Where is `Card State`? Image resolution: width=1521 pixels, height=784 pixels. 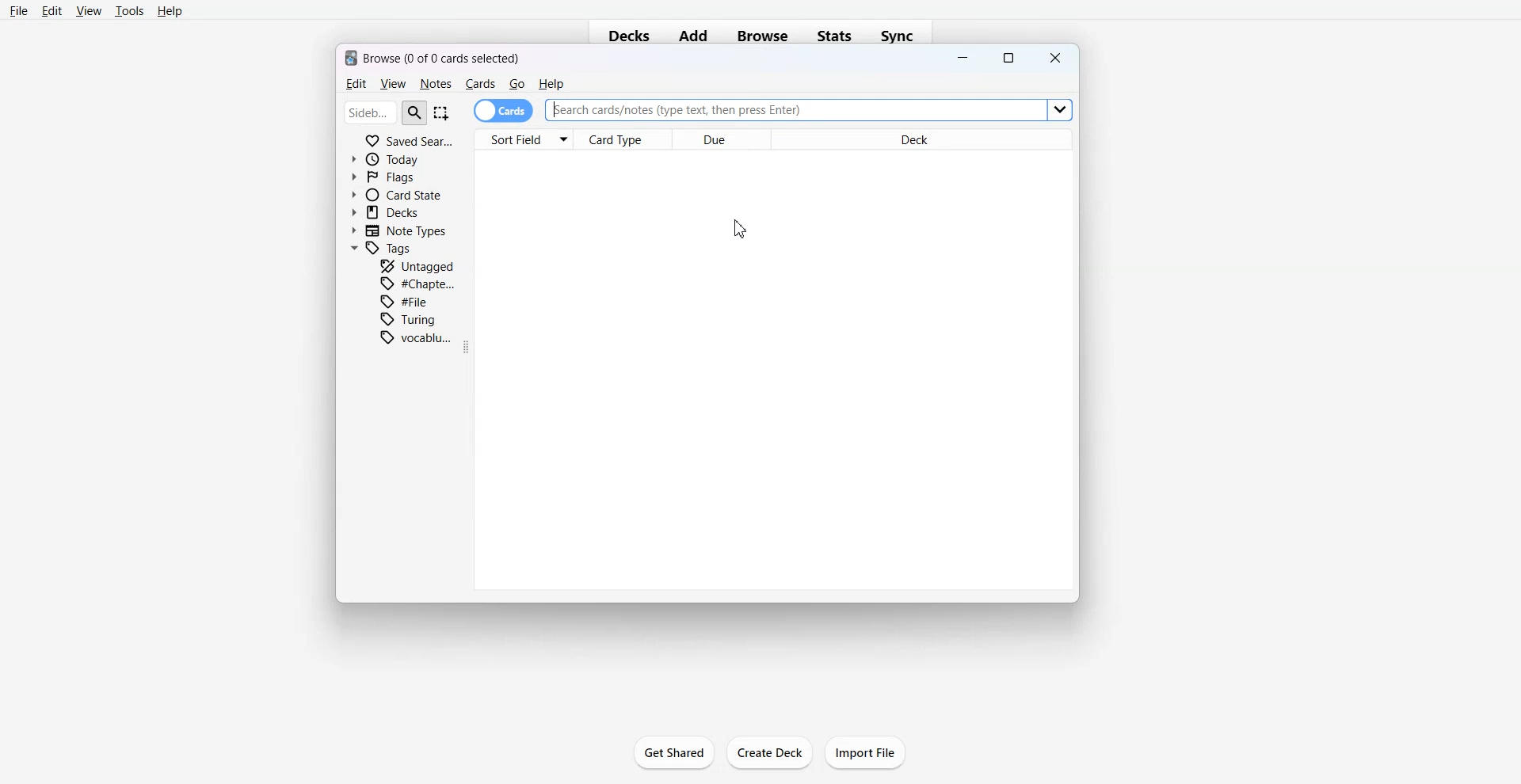
Card State is located at coordinates (395, 194).